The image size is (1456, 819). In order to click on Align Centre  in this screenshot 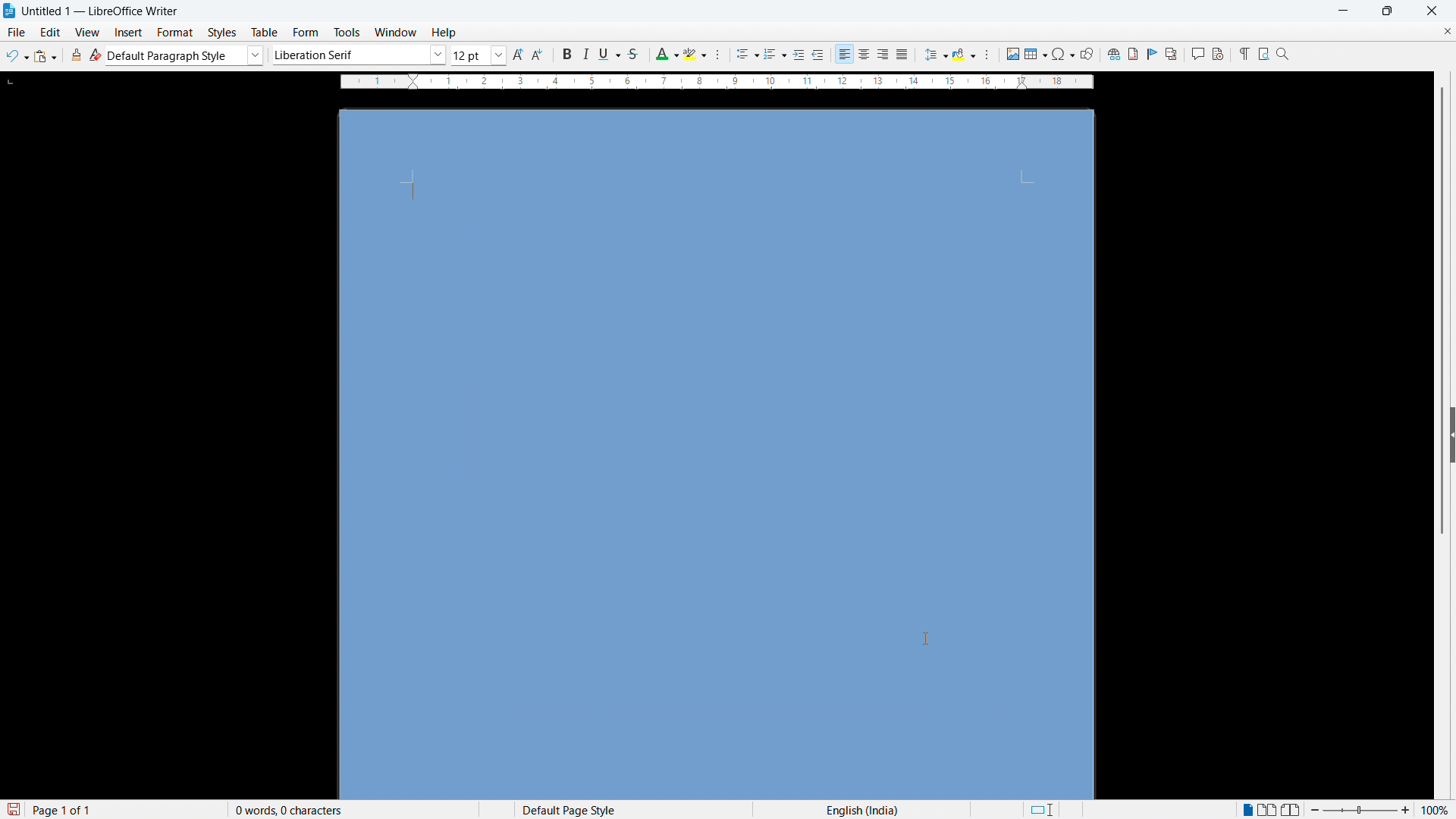, I will do `click(864, 55)`.